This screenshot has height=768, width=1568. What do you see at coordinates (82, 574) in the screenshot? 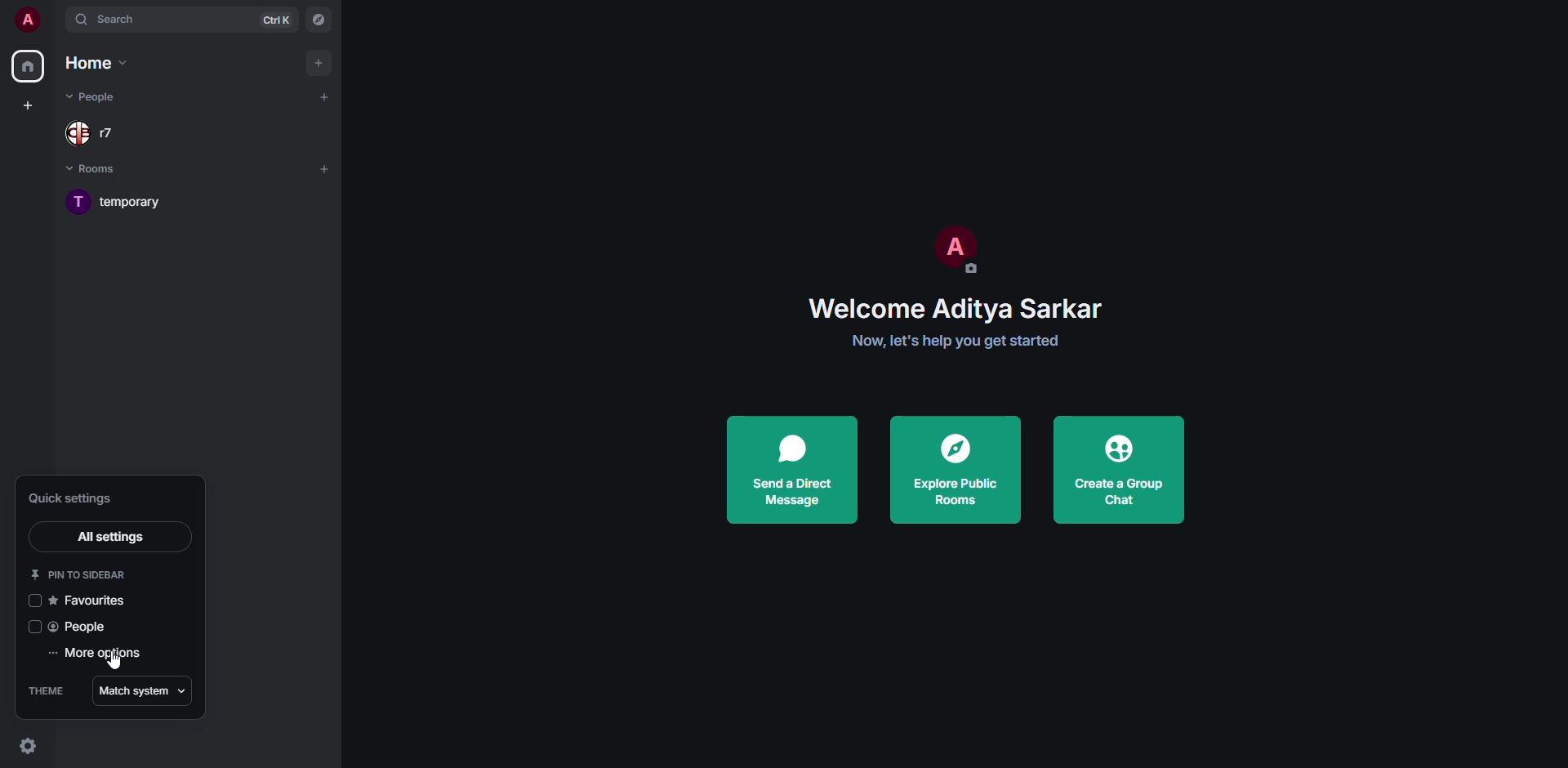
I see `pin to sidebar` at bounding box center [82, 574].